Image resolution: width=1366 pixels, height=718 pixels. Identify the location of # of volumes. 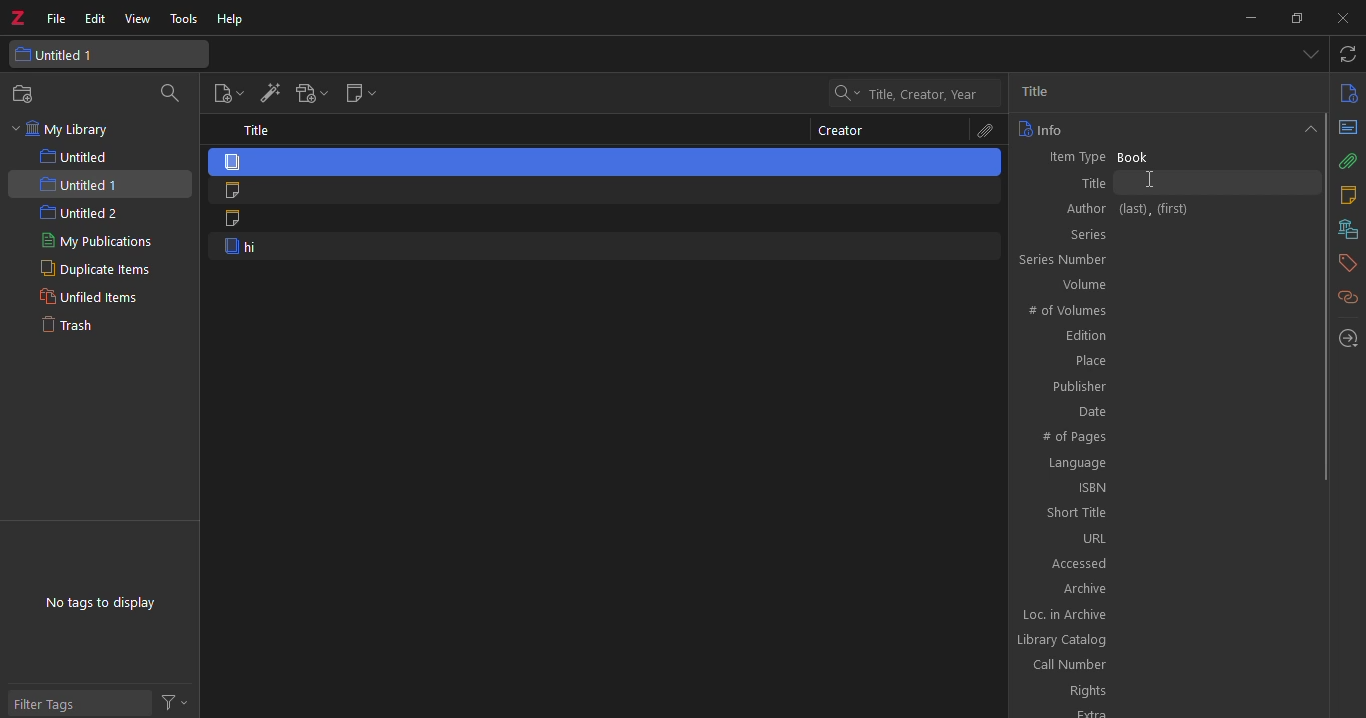
(1164, 309).